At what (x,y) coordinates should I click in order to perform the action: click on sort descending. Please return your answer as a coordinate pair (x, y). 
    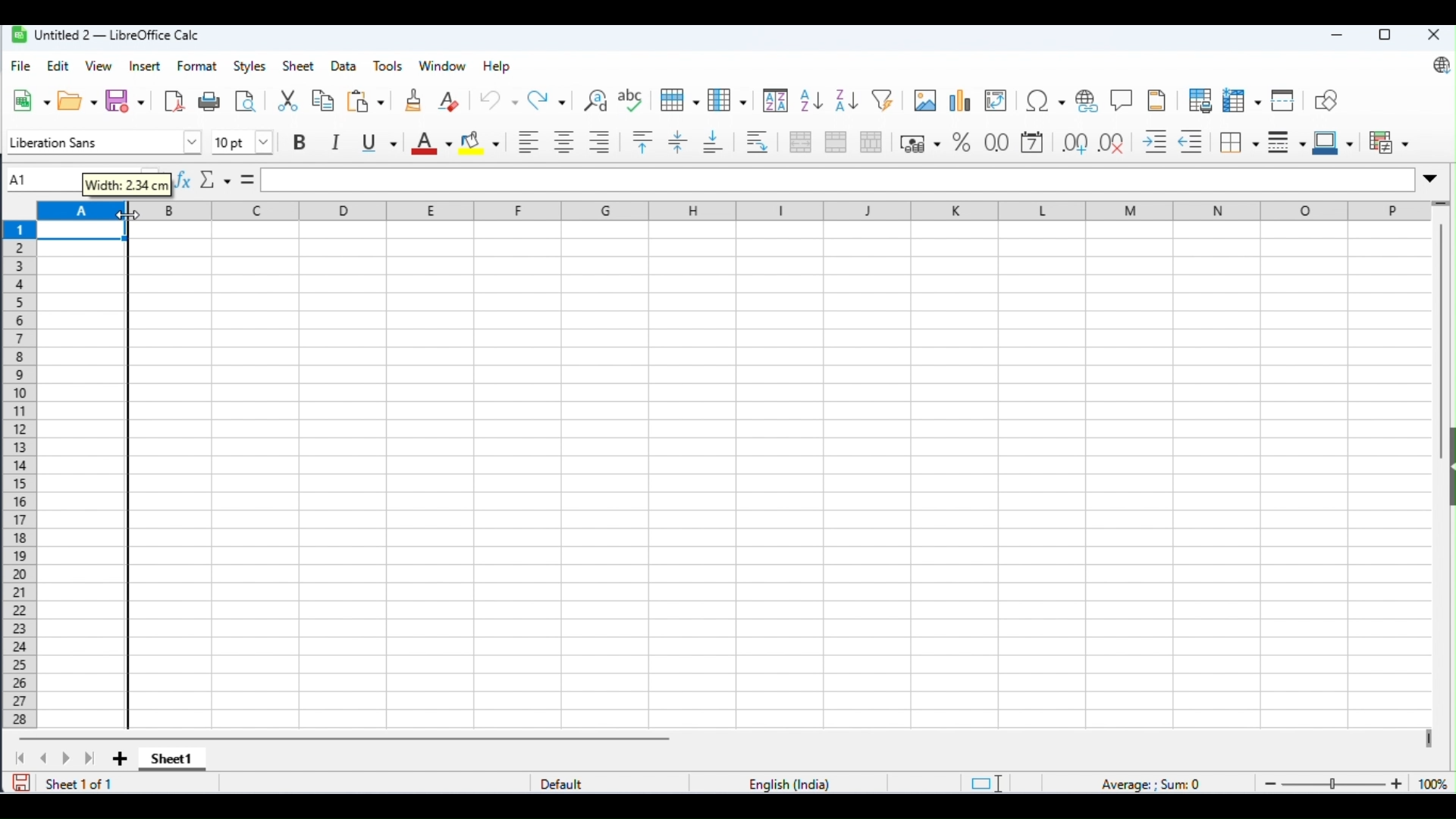
    Looking at the image, I should click on (847, 101).